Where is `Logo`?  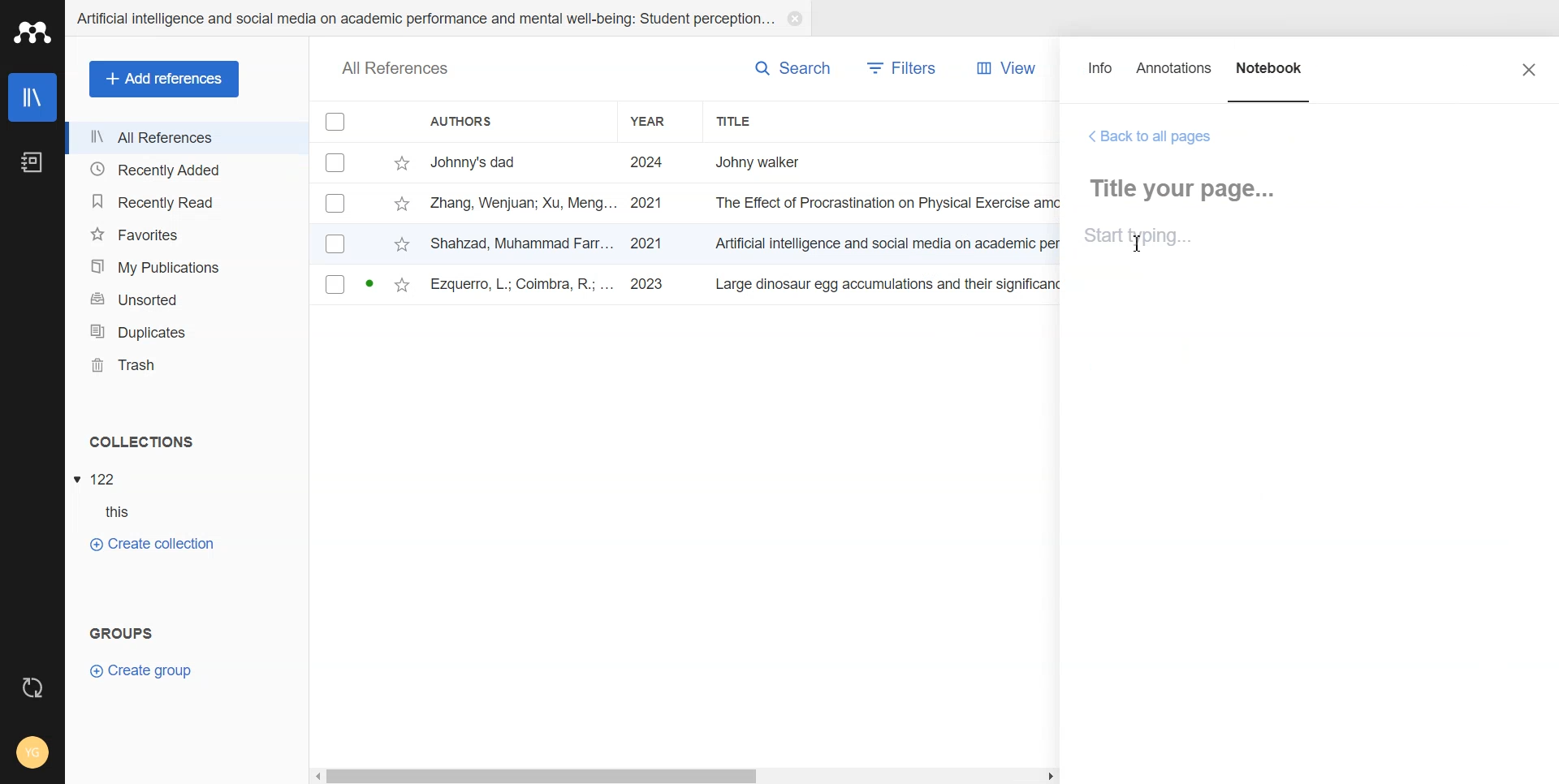
Logo is located at coordinates (32, 32).